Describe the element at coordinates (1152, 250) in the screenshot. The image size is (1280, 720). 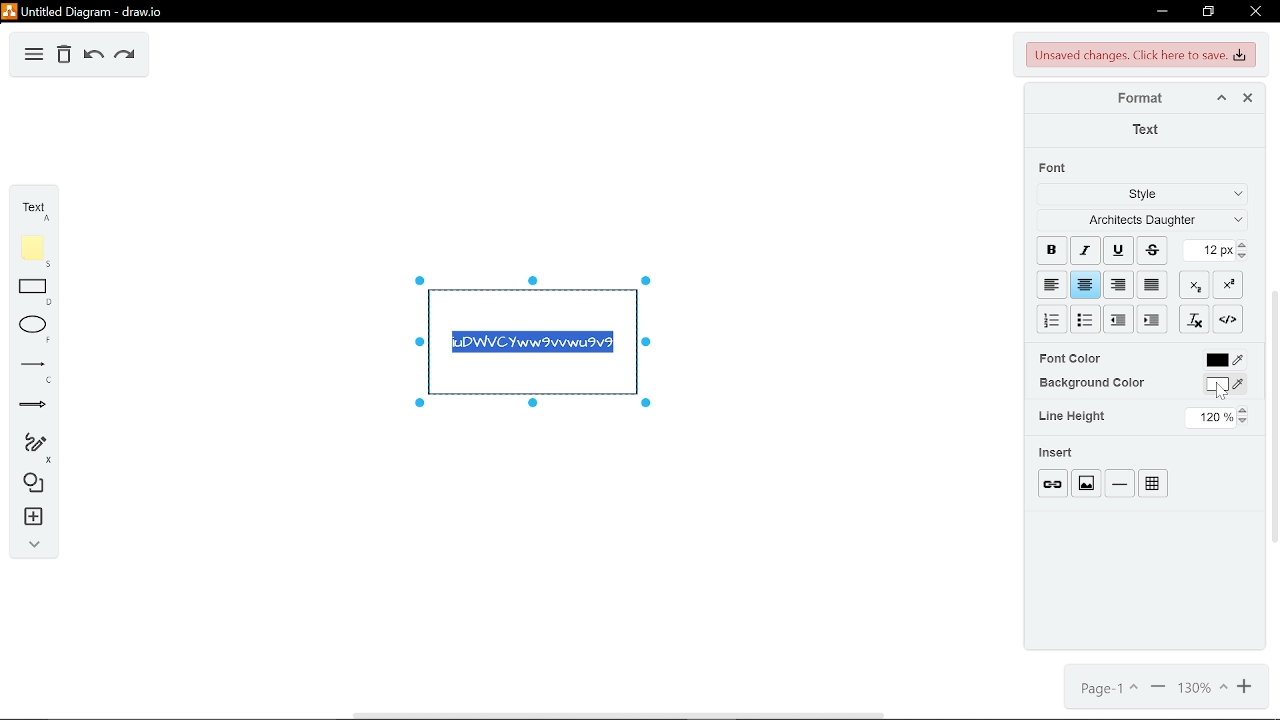
I see `strikethrough` at that location.